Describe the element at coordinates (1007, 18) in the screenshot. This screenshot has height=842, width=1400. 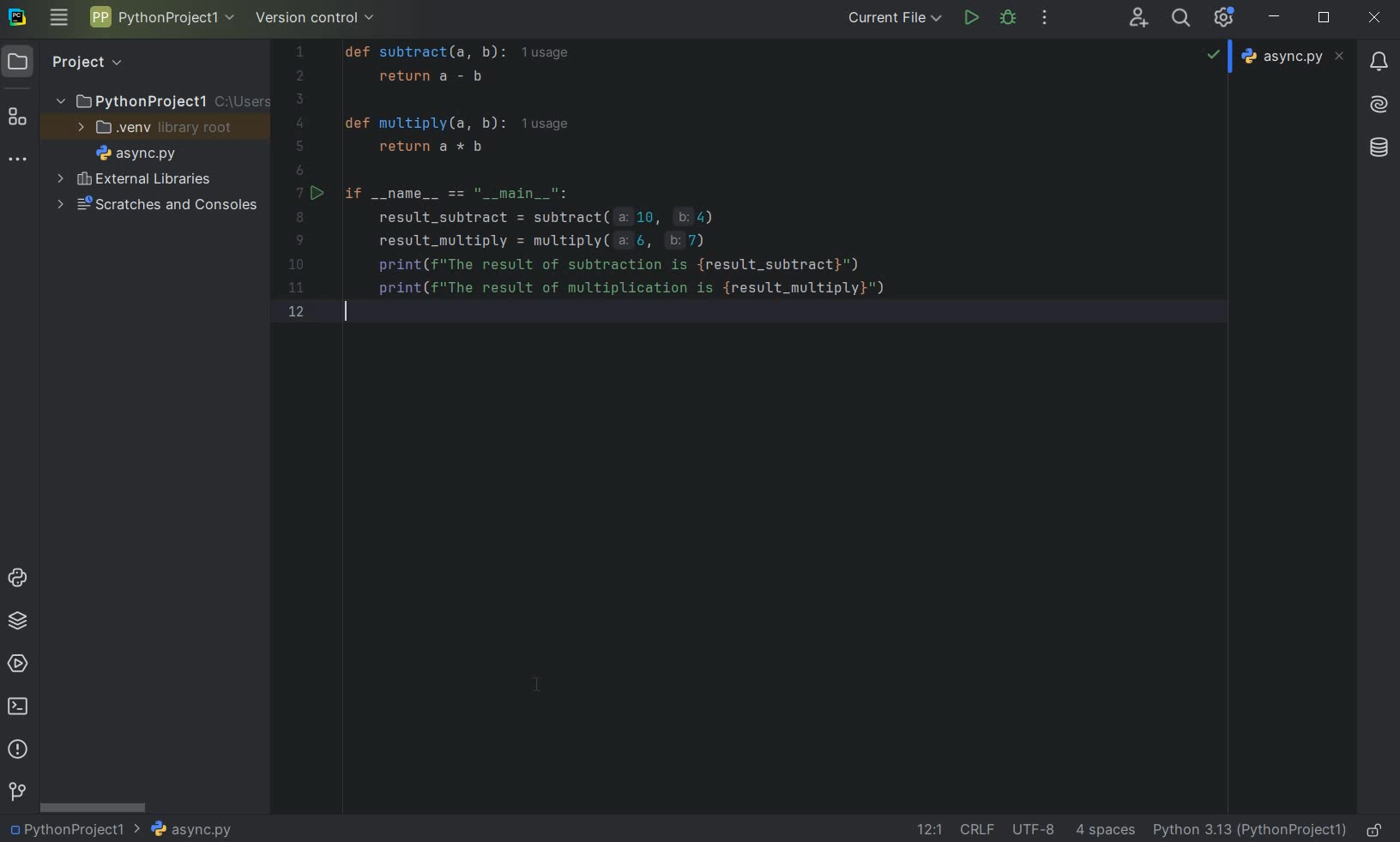
I see `debug` at that location.